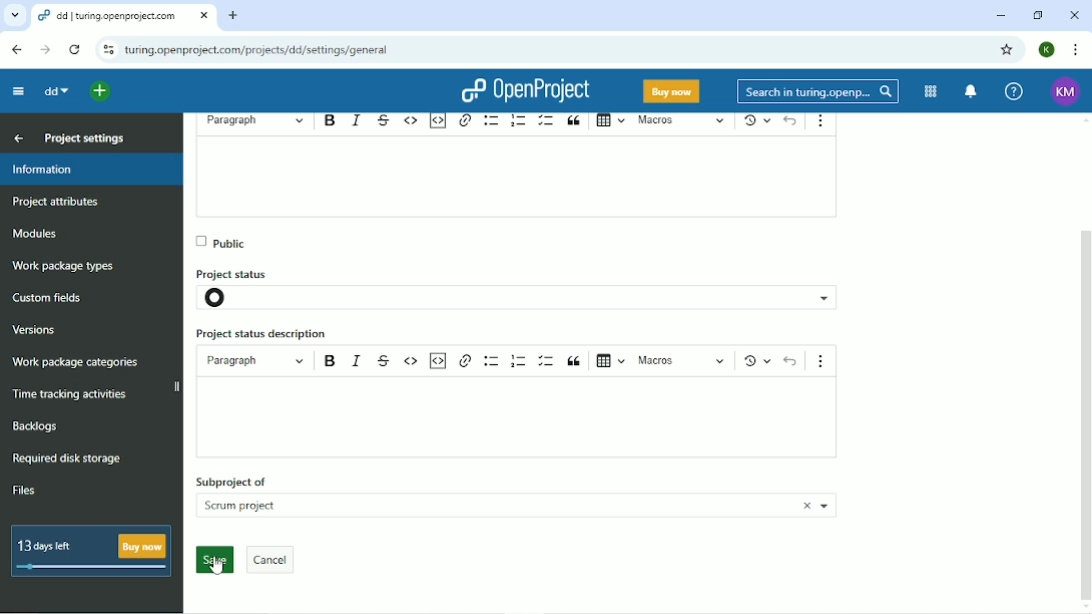 This screenshot has width=1092, height=614. Describe the element at coordinates (523, 176) in the screenshot. I see `text box` at that location.